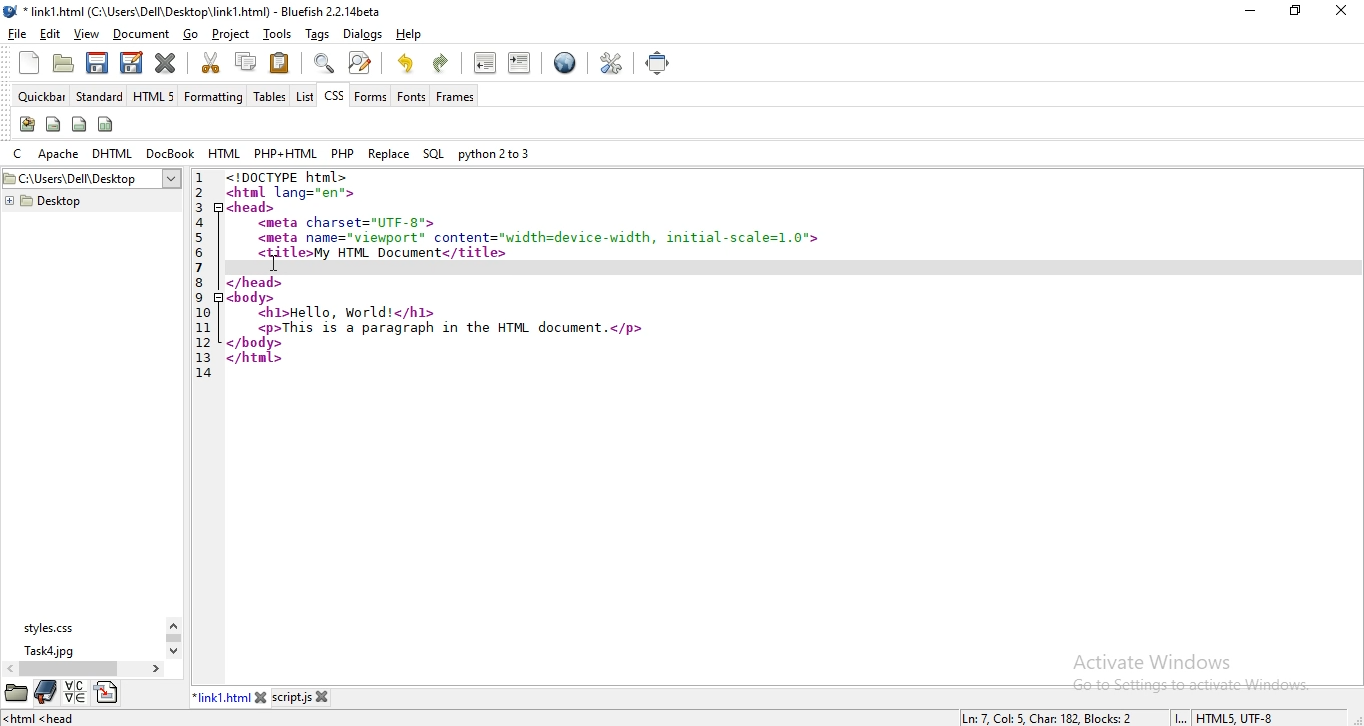 This screenshot has height=726, width=1364. Describe the element at coordinates (43, 201) in the screenshot. I see `desktop` at that location.